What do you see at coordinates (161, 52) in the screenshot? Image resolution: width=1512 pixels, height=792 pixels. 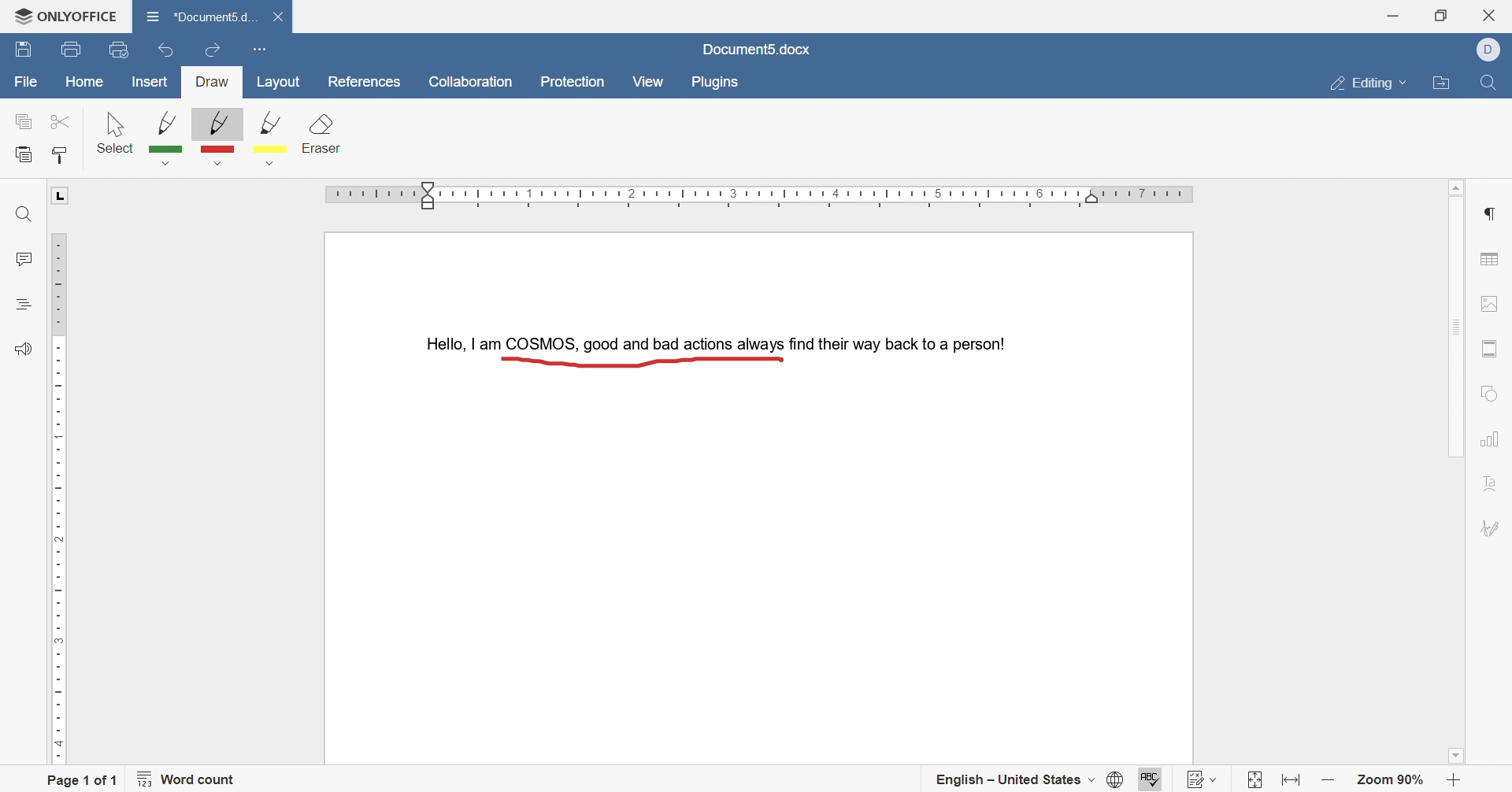 I see `undo` at bounding box center [161, 52].